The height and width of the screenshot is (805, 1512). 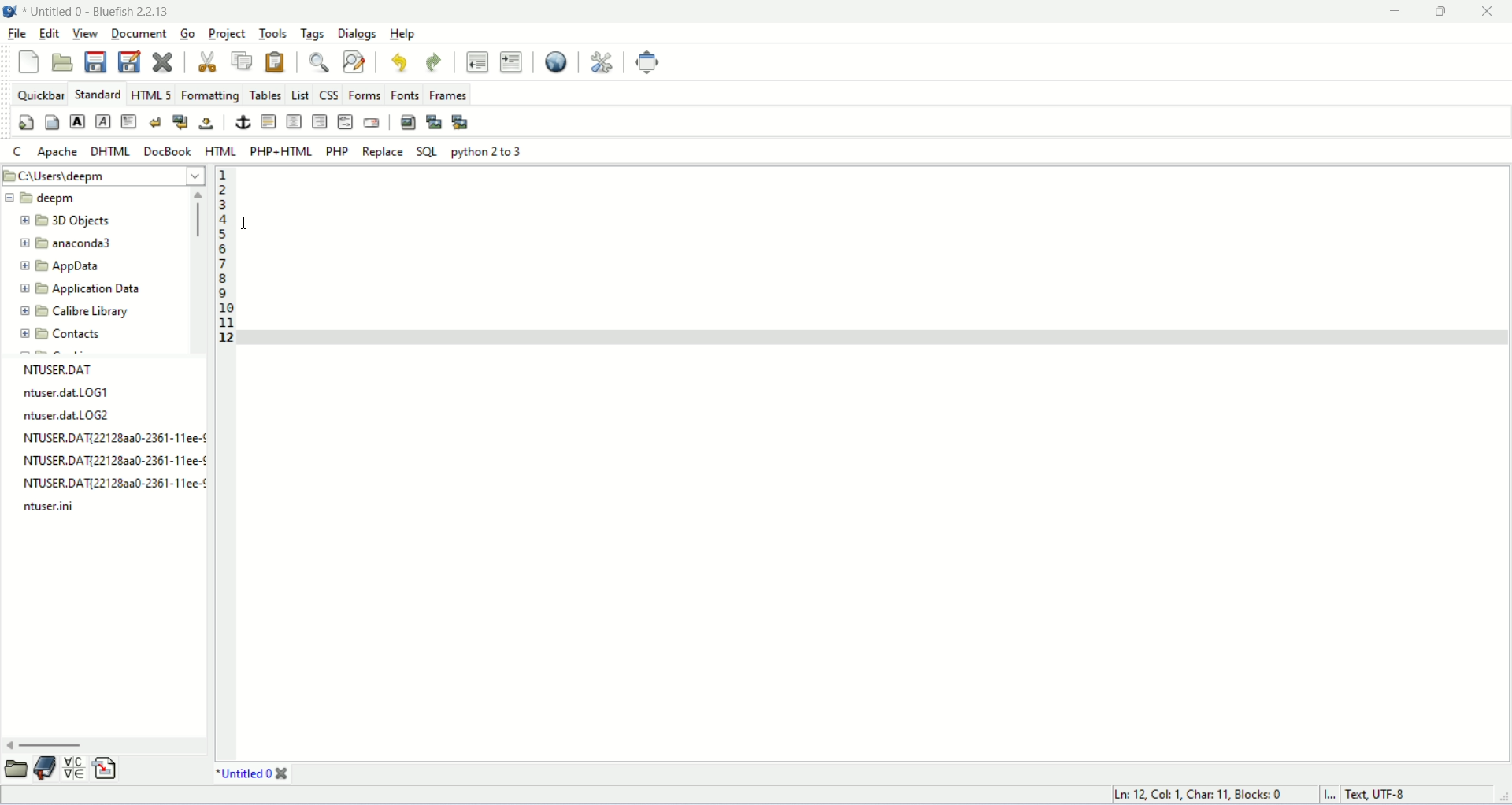 What do you see at coordinates (157, 122) in the screenshot?
I see `break` at bounding box center [157, 122].